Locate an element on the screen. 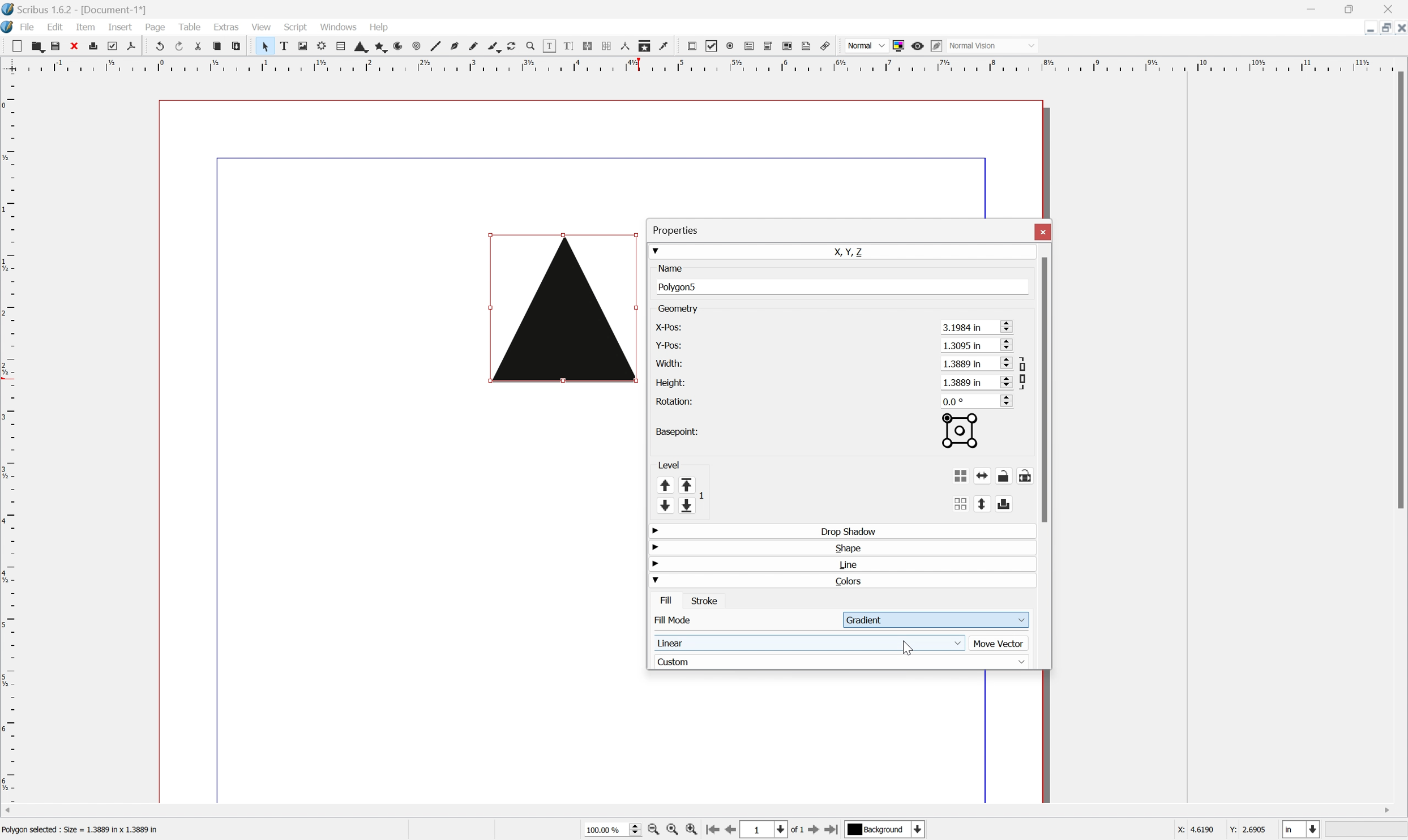 The width and height of the screenshot is (1408, 840). Windows is located at coordinates (338, 25).